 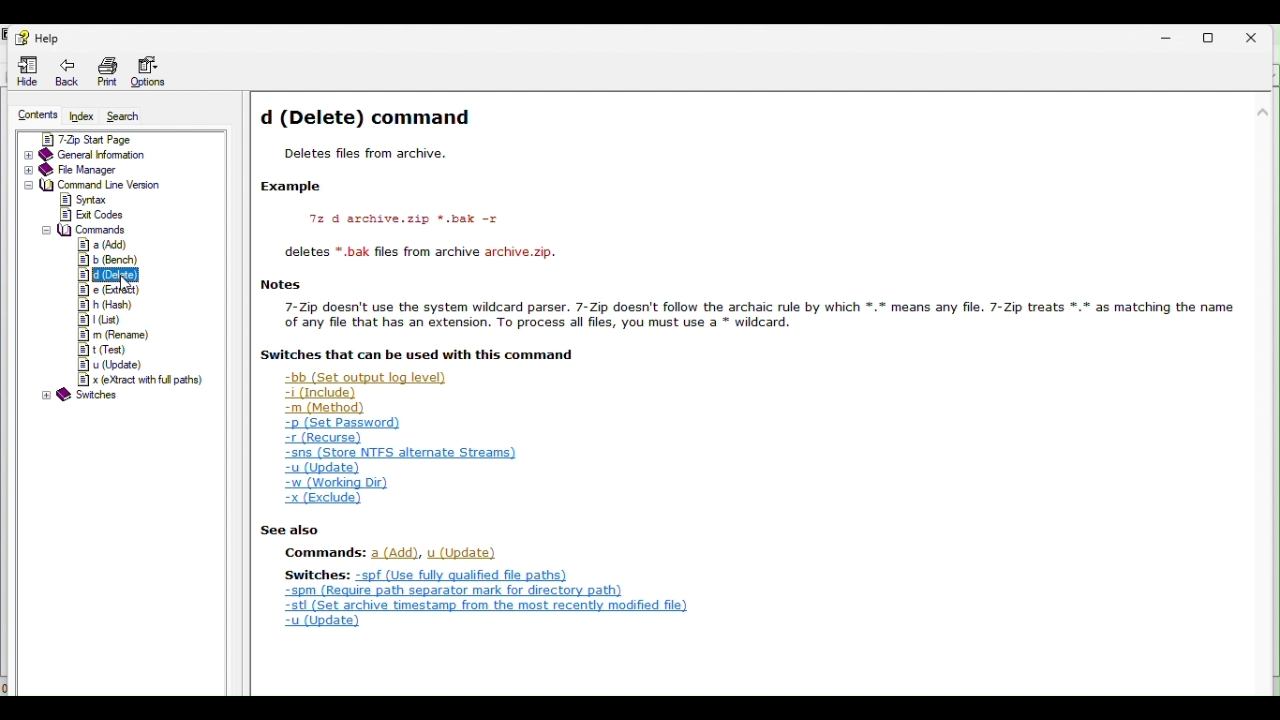 What do you see at coordinates (323, 498) in the screenshot?
I see `x (exclude)` at bounding box center [323, 498].